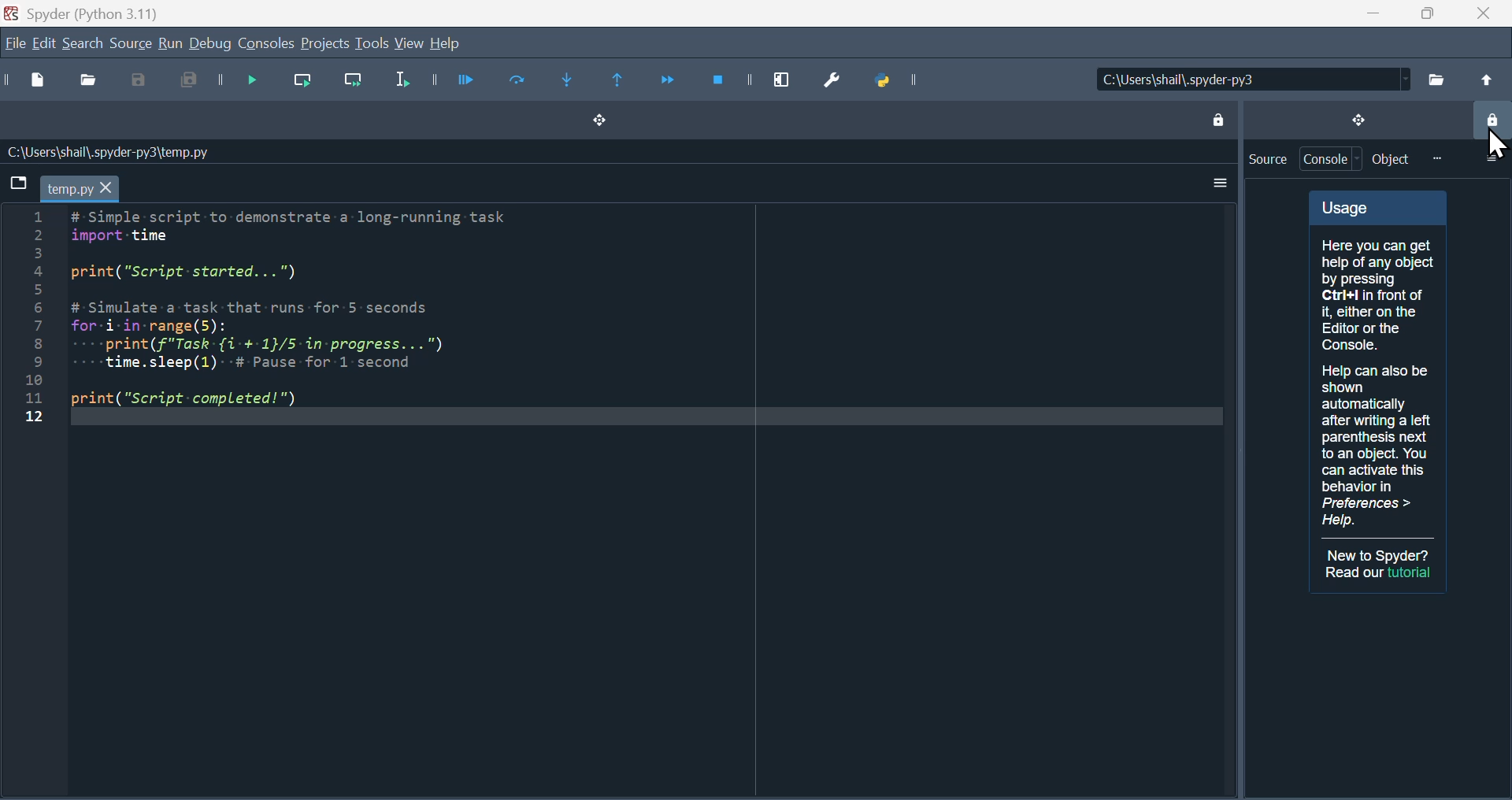 Image resolution: width=1512 pixels, height=800 pixels. I want to click on browse tabs, so click(17, 182).